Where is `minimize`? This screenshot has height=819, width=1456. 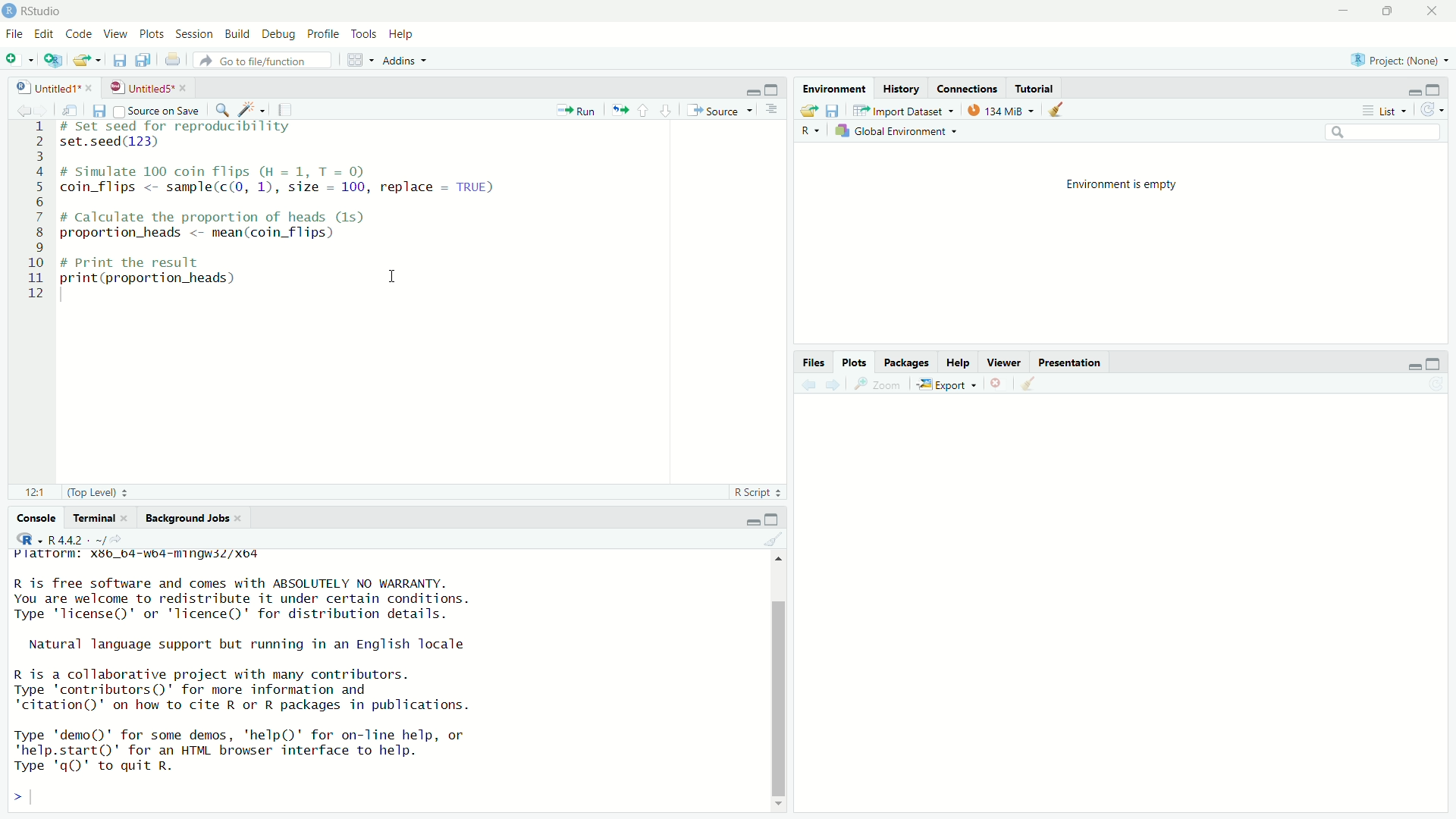 minimize is located at coordinates (748, 89).